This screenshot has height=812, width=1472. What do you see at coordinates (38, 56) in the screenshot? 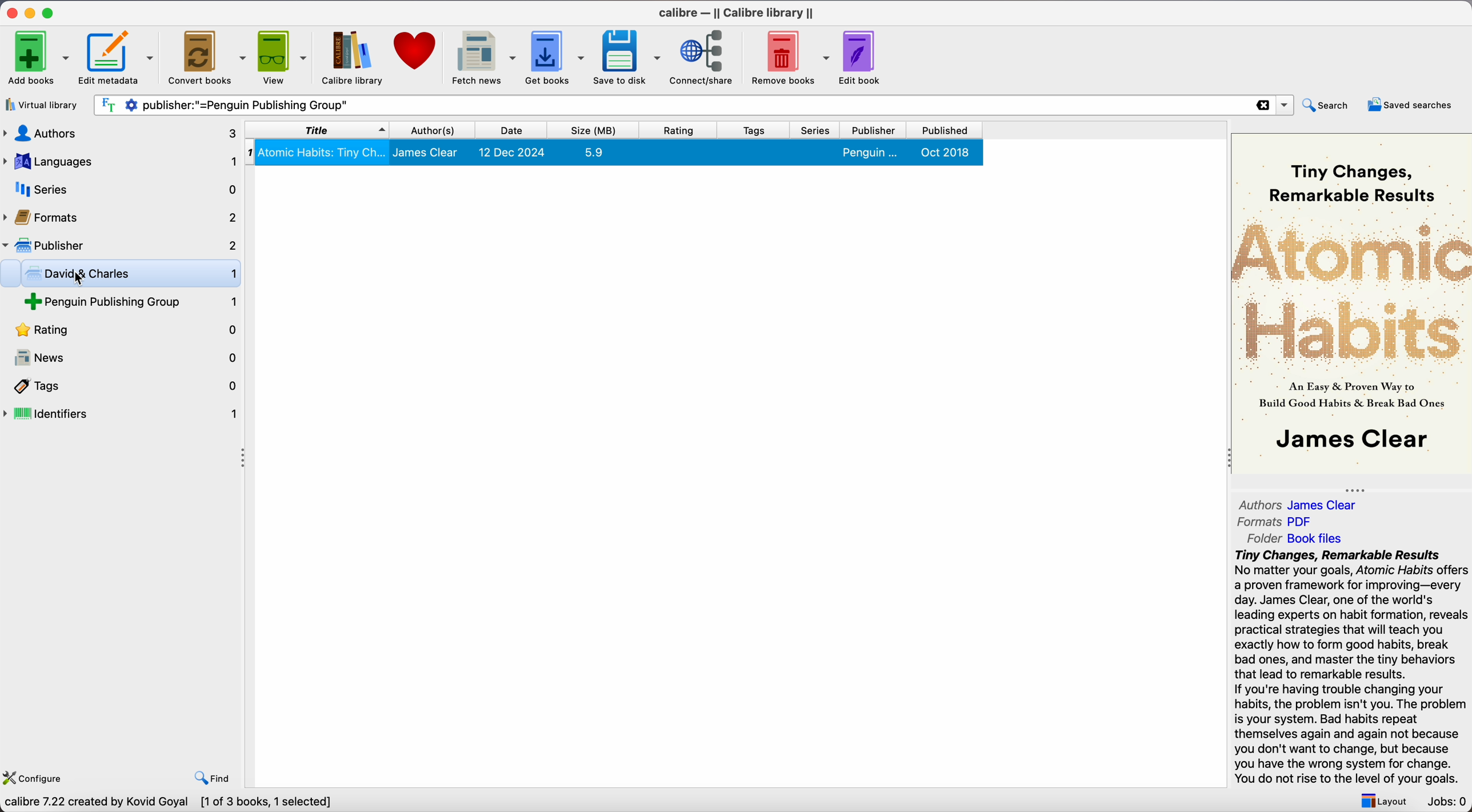
I see `add books` at bounding box center [38, 56].